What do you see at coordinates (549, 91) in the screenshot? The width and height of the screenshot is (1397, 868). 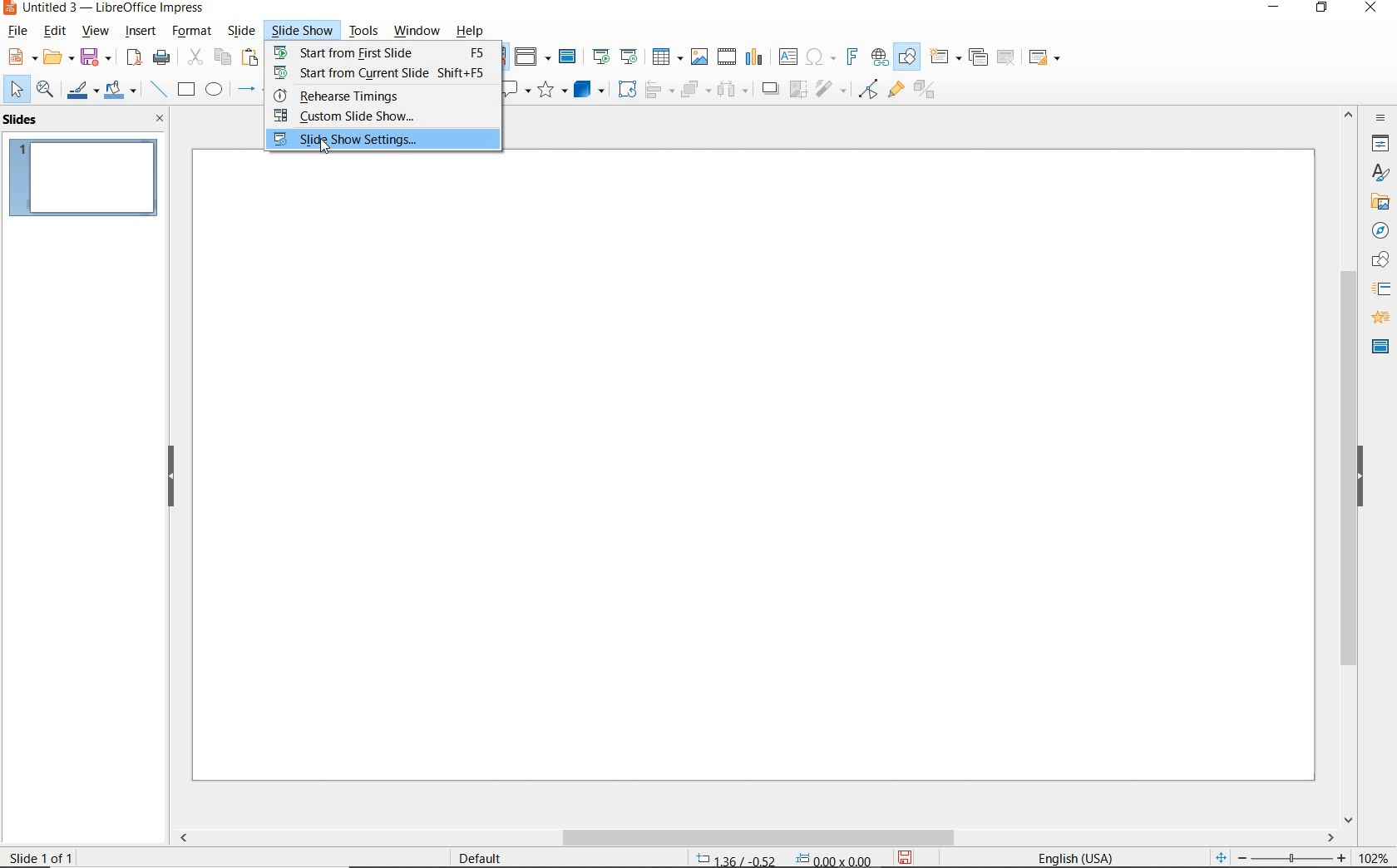 I see `STARS AND BANNERS` at bounding box center [549, 91].